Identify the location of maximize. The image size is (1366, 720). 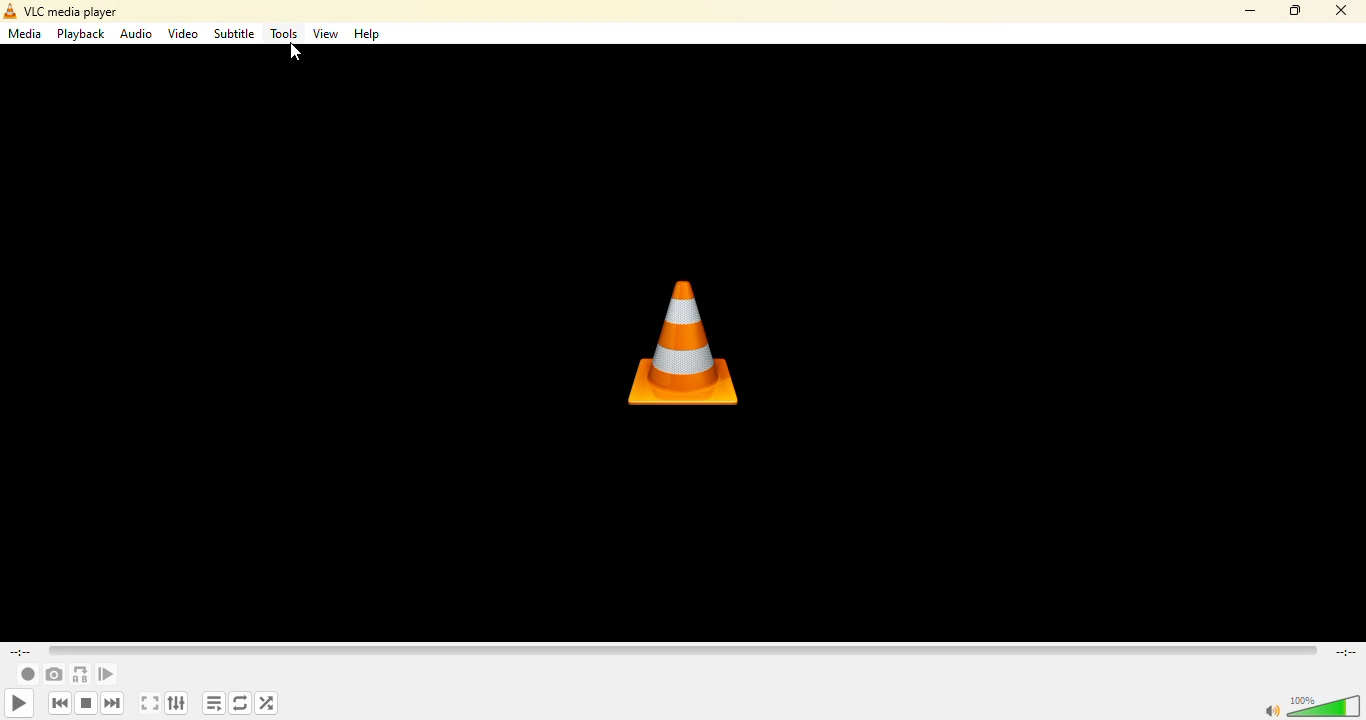
(1293, 9).